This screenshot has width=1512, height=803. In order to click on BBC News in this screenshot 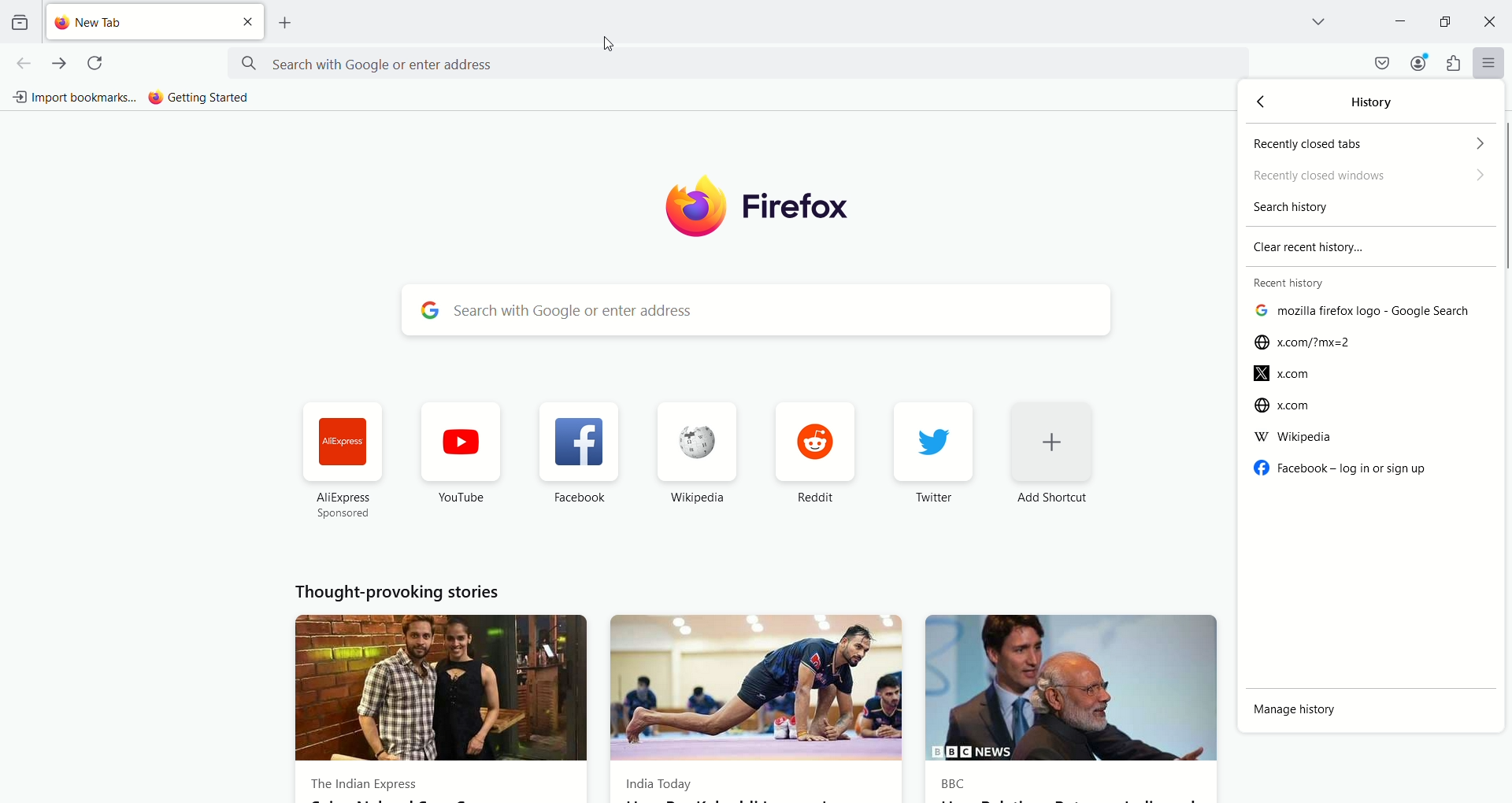, I will do `click(1073, 707)`.